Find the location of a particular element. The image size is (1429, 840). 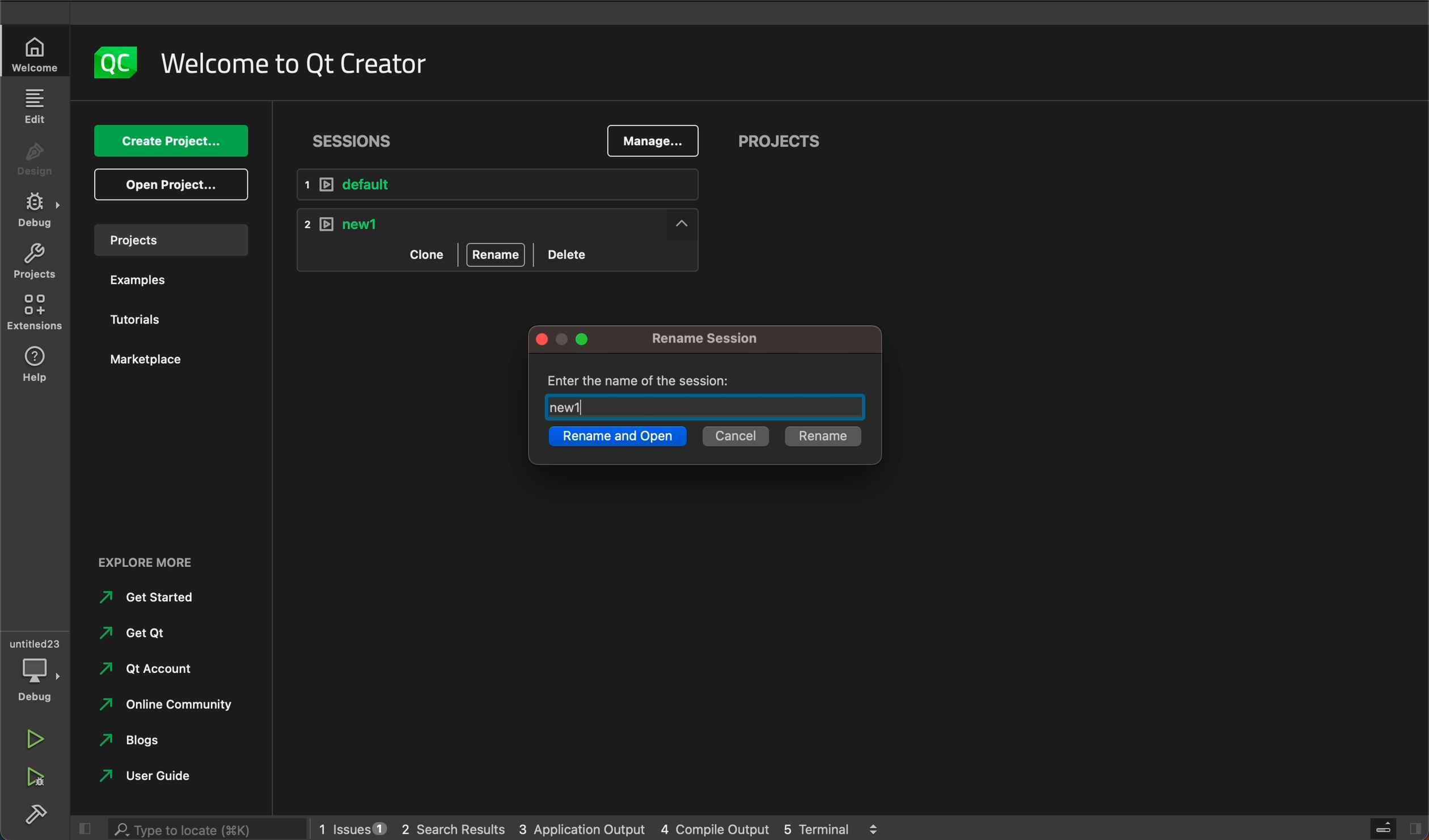

tutorials is located at coordinates (139, 318).